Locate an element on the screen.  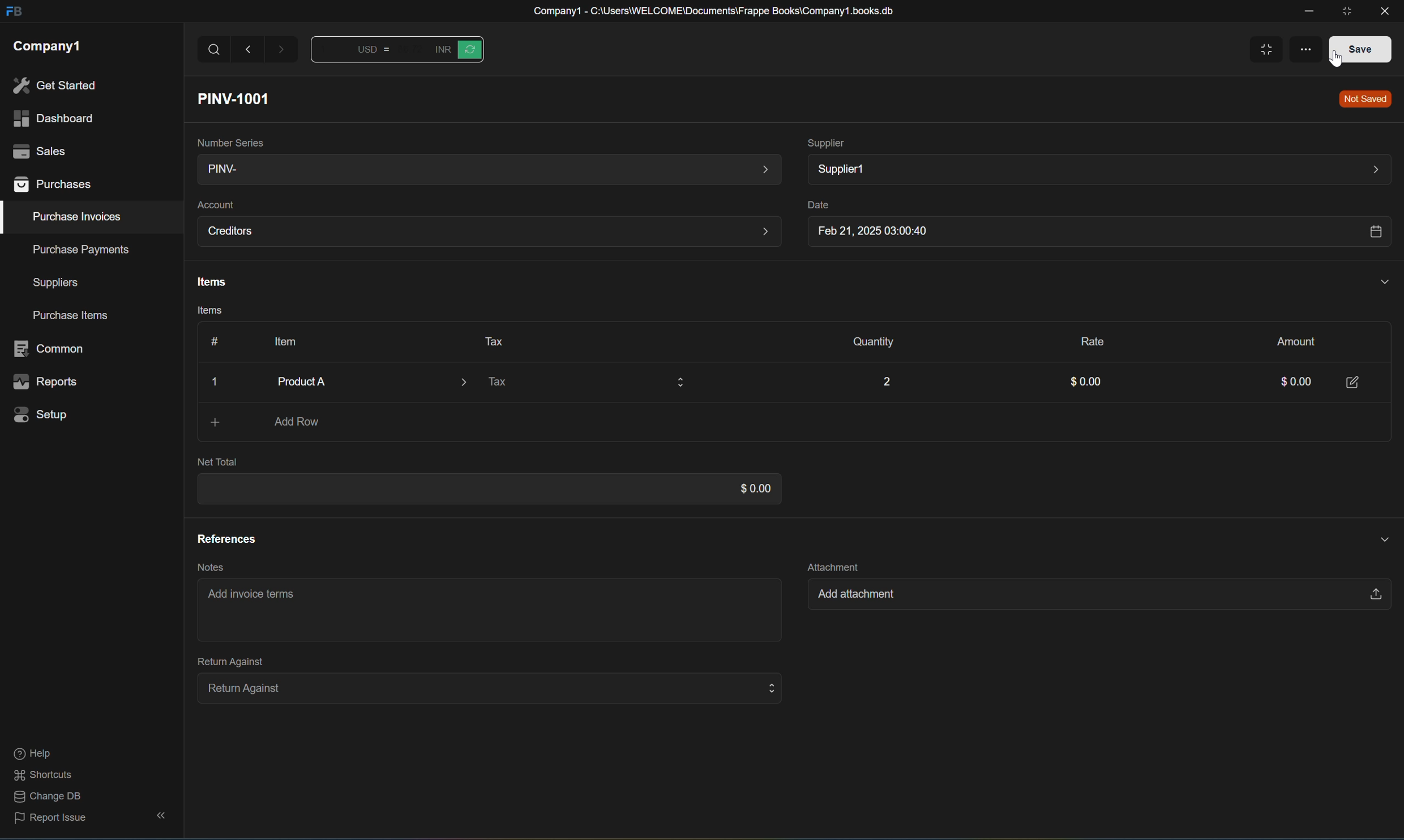
Amount is located at coordinates (1290, 340).